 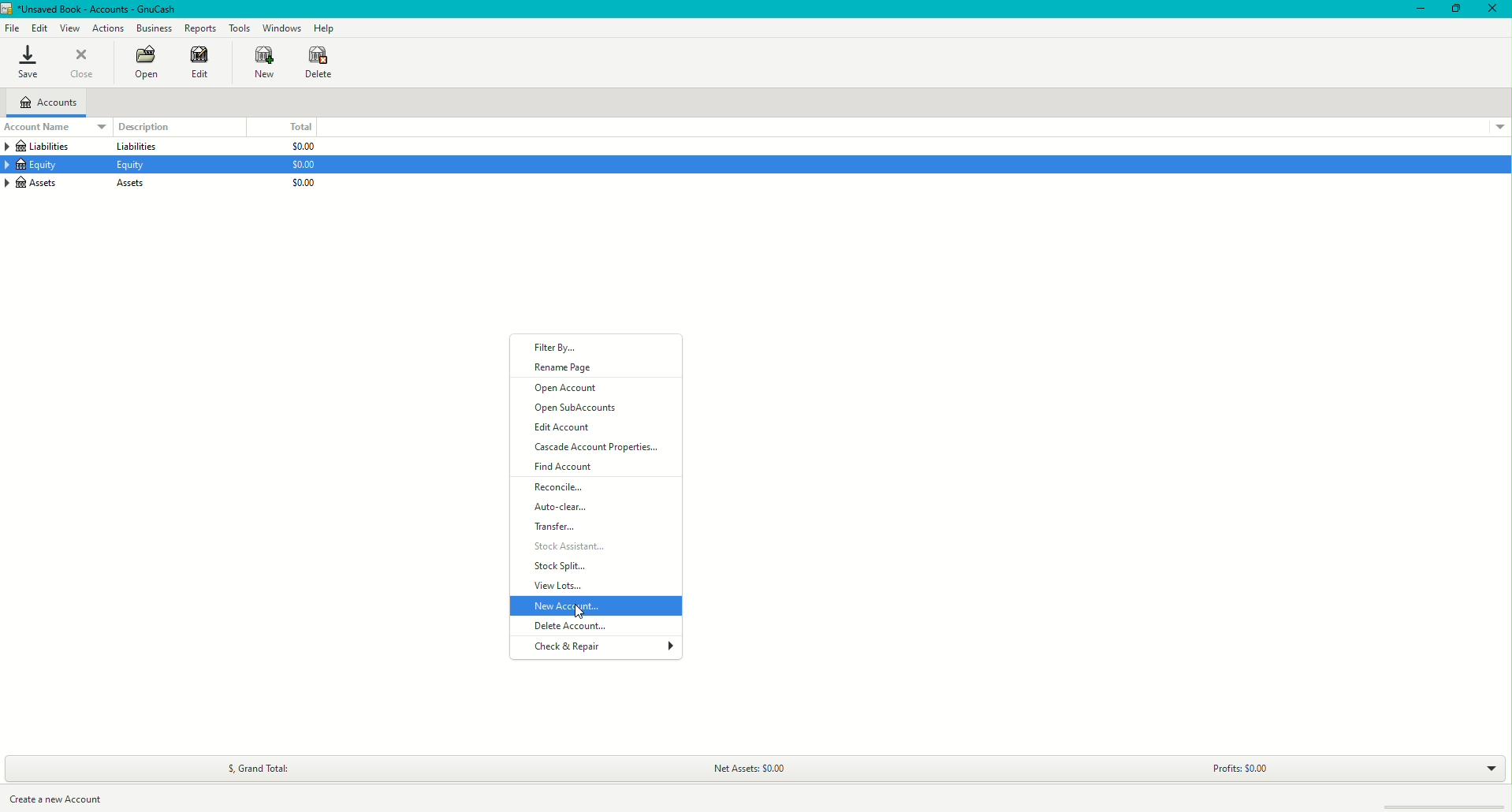 I want to click on Help, so click(x=322, y=28).